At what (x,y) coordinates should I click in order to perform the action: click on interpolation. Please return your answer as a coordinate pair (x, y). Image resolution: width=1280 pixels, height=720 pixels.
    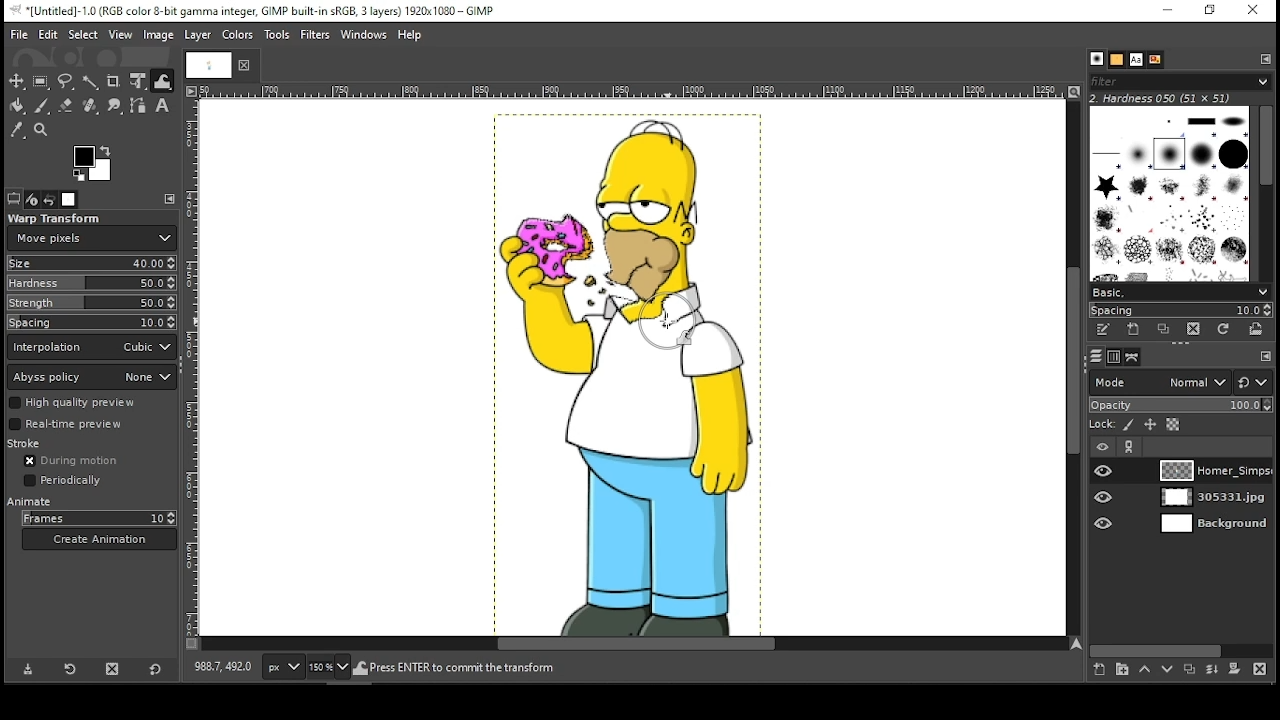
    Looking at the image, I should click on (93, 346).